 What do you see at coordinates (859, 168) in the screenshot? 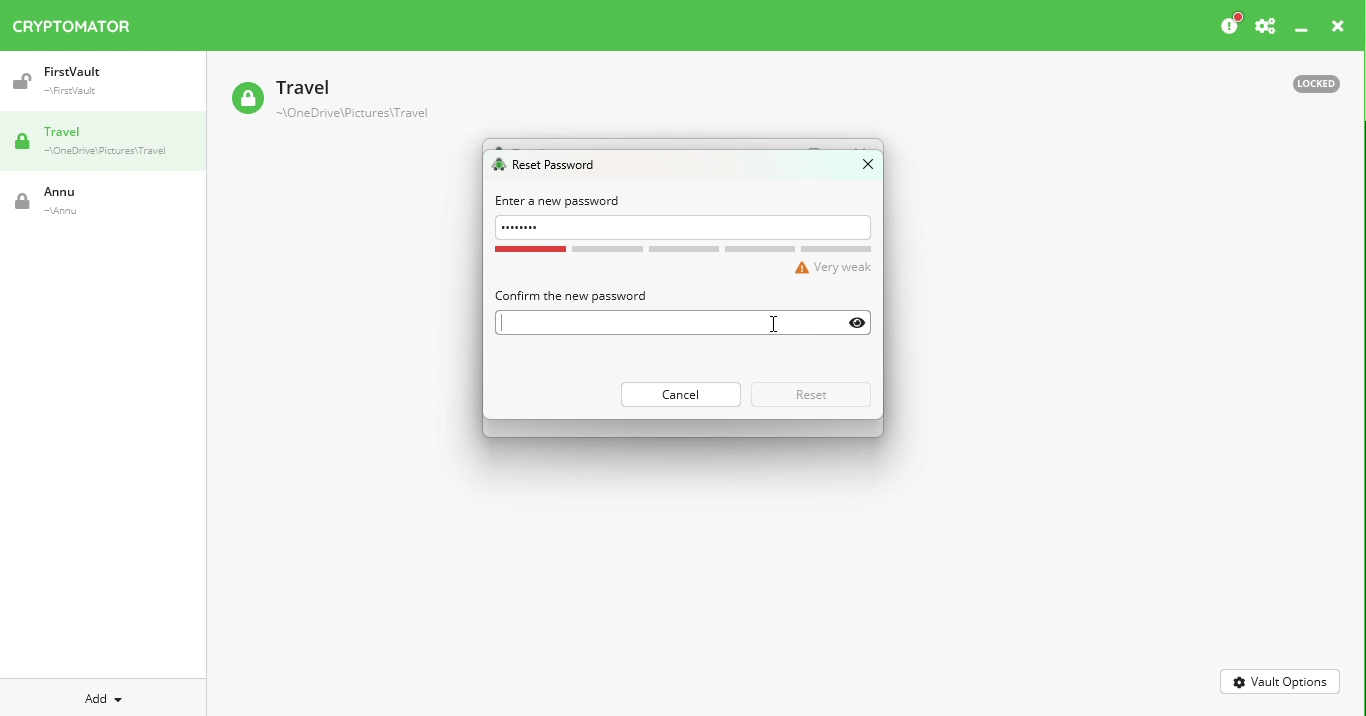
I see `Close` at bounding box center [859, 168].